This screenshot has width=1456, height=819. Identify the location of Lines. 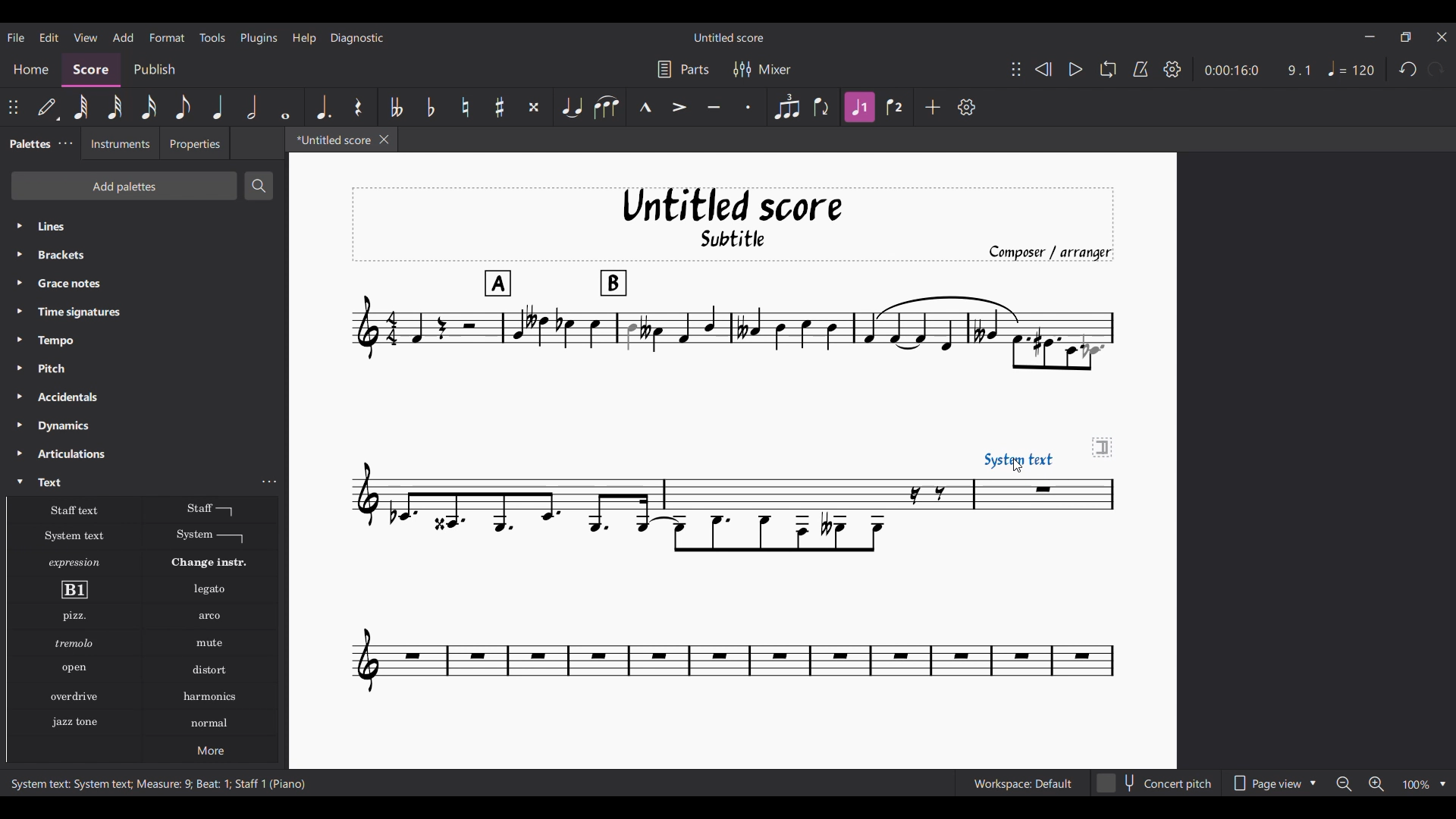
(144, 226).